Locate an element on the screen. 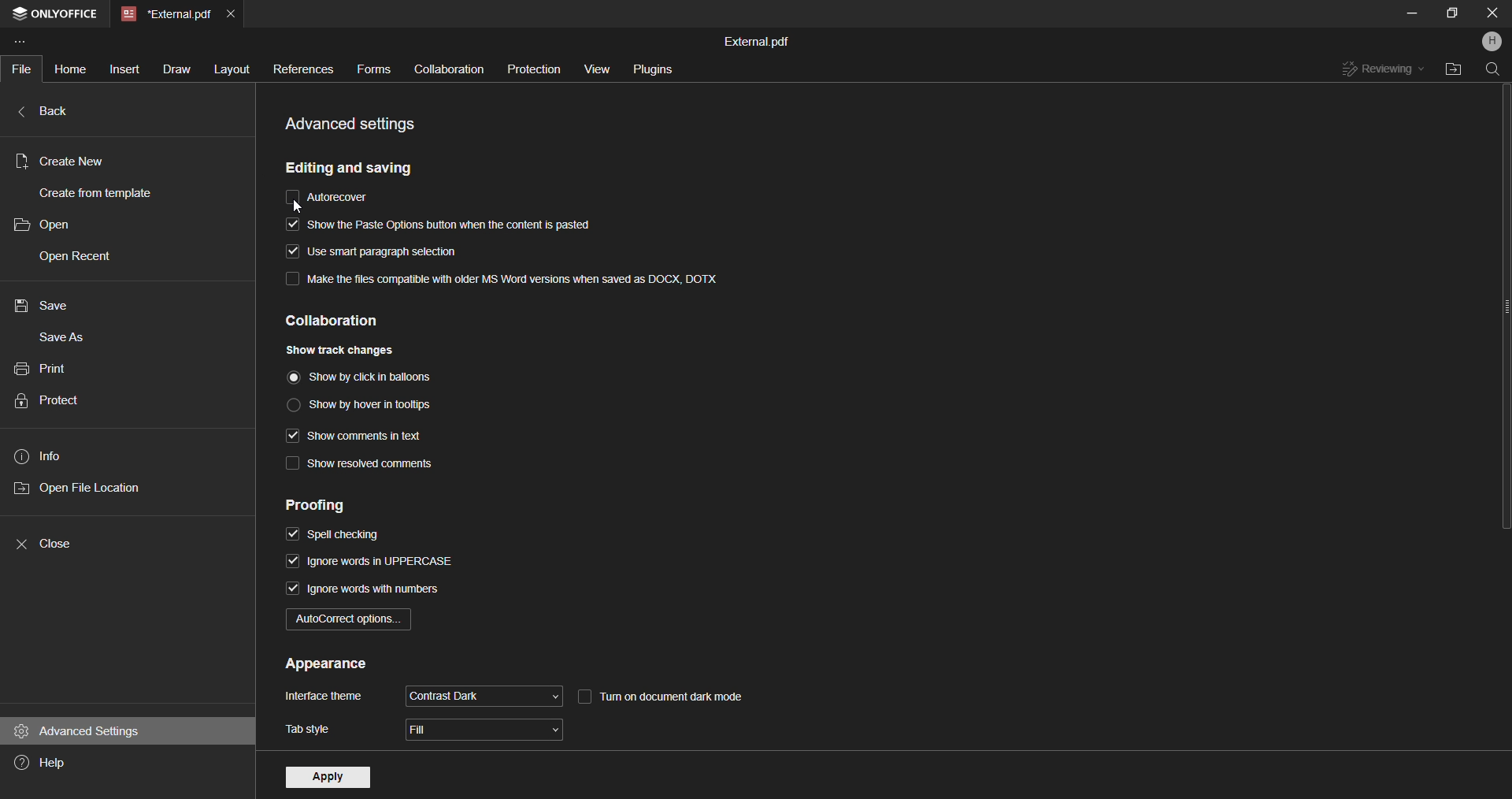 This screenshot has height=799, width=1512. References is located at coordinates (299, 71).